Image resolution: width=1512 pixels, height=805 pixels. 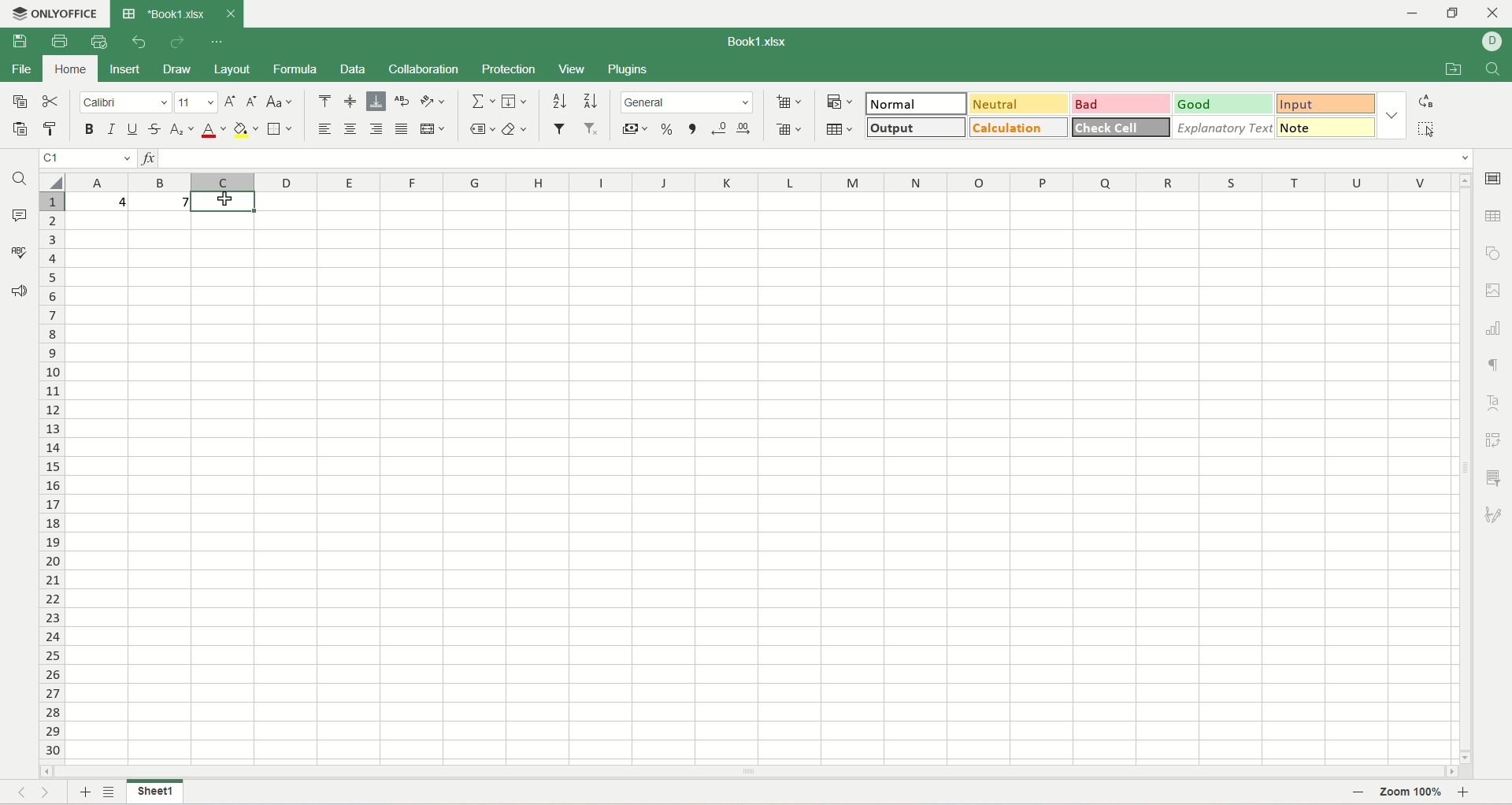 What do you see at coordinates (1020, 102) in the screenshot?
I see `neutral` at bounding box center [1020, 102].